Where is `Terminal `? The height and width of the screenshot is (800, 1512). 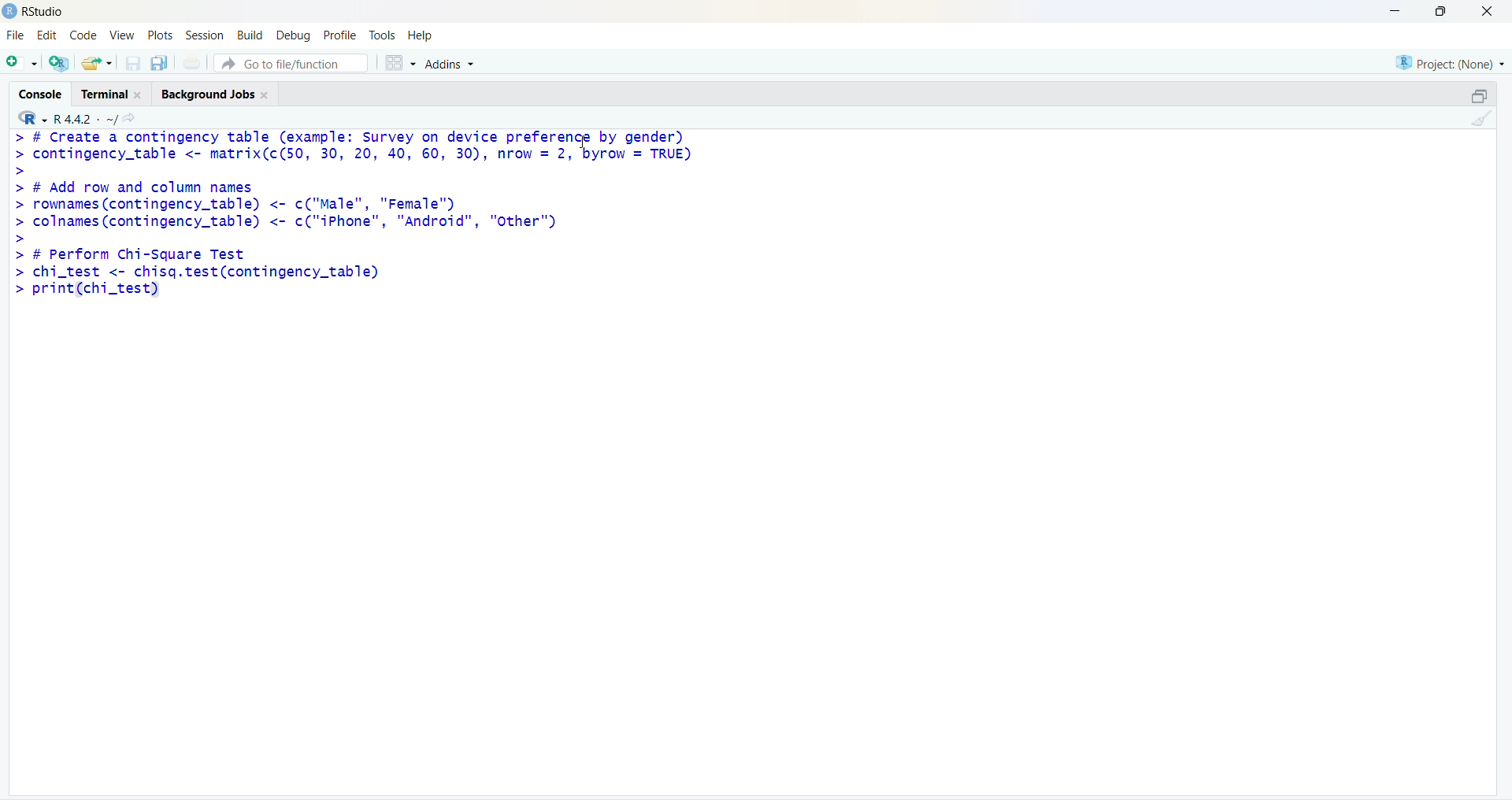 Terminal  is located at coordinates (104, 94).